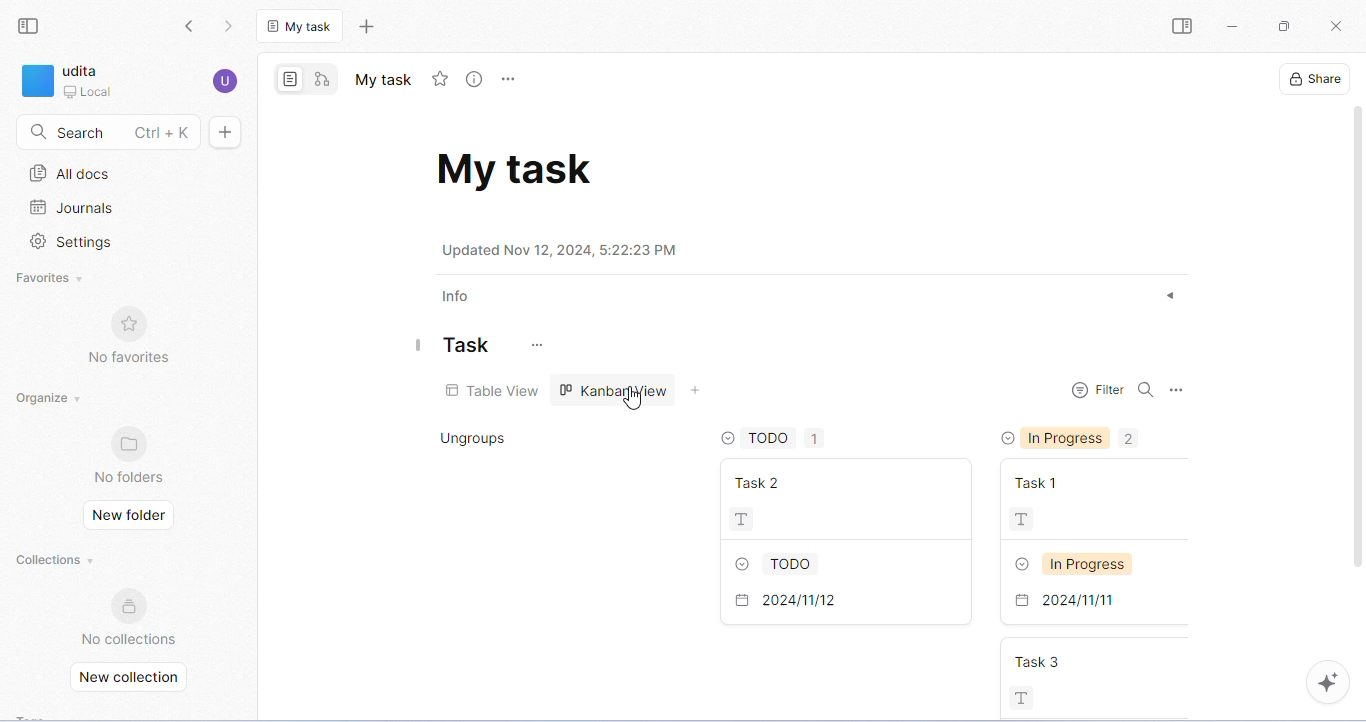  What do you see at coordinates (188, 25) in the screenshot?
I see `go back` at bounding box center [188, 25].